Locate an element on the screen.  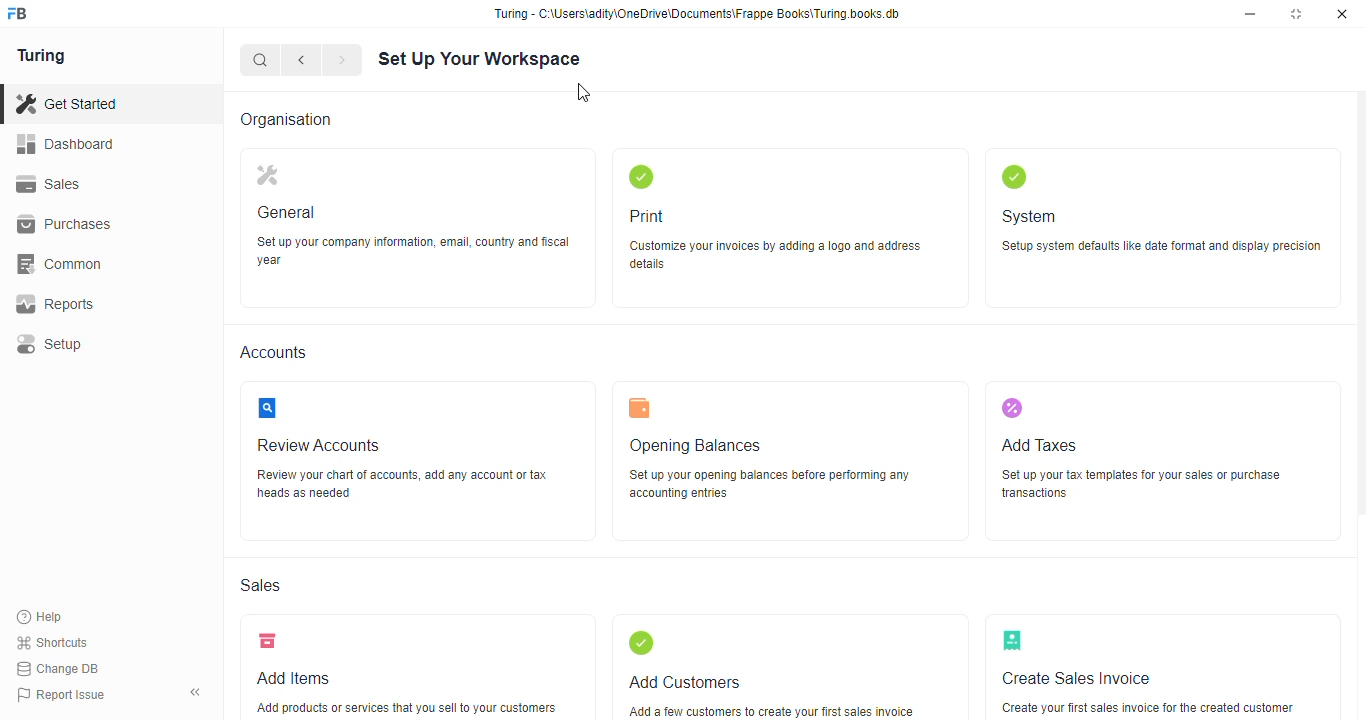
Set Up Your Workspace is located at coordinates (488, 59).